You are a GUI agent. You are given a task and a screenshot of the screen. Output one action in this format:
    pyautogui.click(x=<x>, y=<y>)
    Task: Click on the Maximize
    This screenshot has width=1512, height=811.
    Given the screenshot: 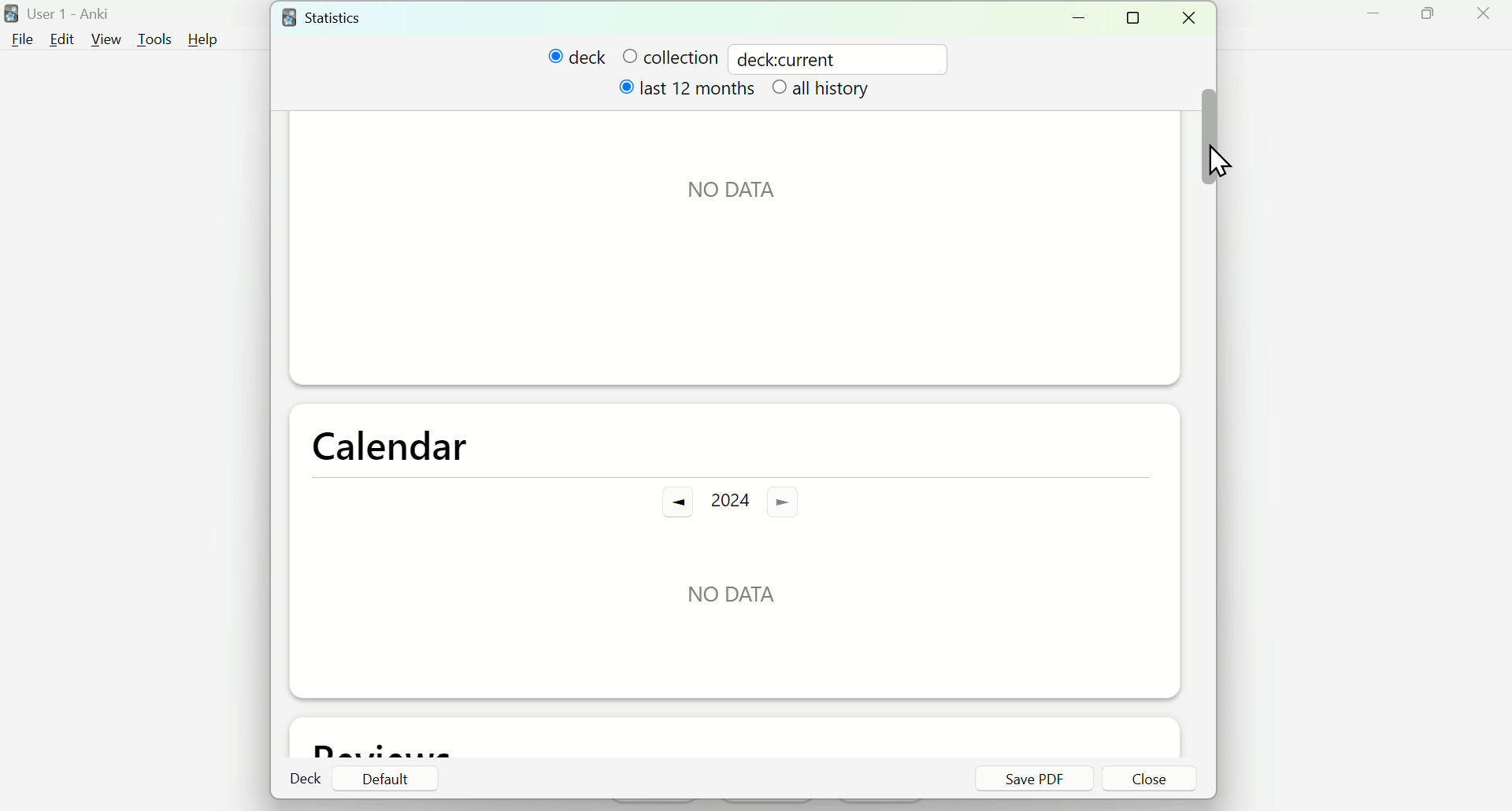 What is the action you would take?
    pyautogui.click(x=1437, y=20)
    